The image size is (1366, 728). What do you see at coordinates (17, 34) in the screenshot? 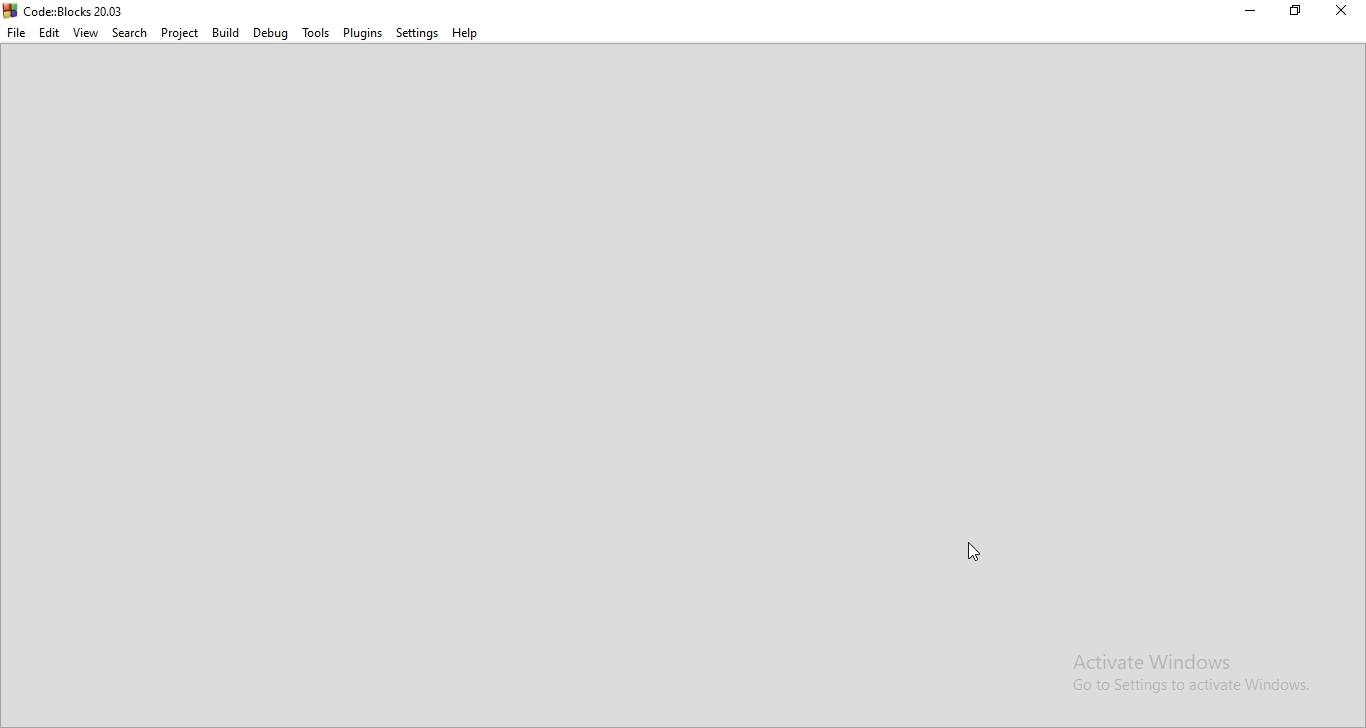
I see `File` at bounding box center [17, 34].